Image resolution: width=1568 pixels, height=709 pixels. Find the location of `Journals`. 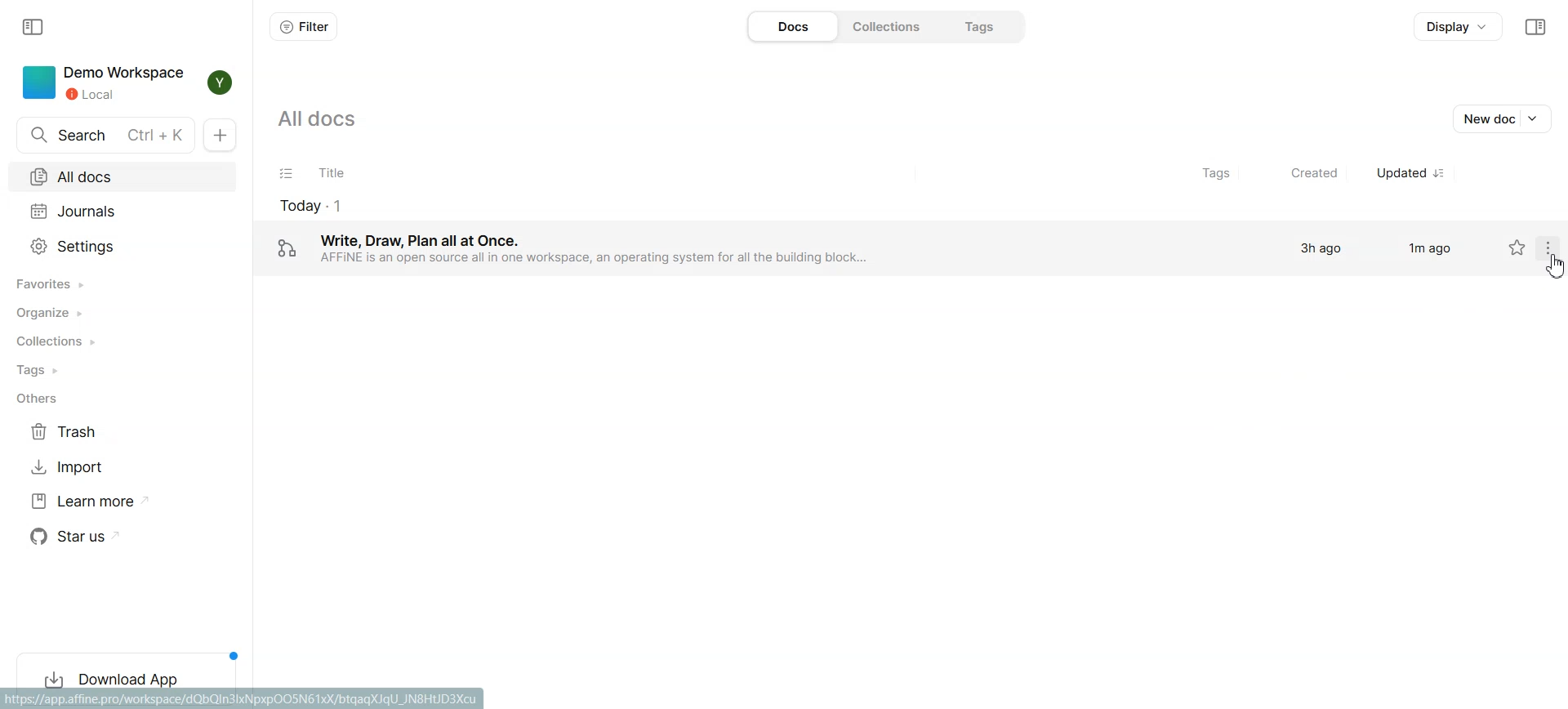

Journals is located at coordinates (121, 213).